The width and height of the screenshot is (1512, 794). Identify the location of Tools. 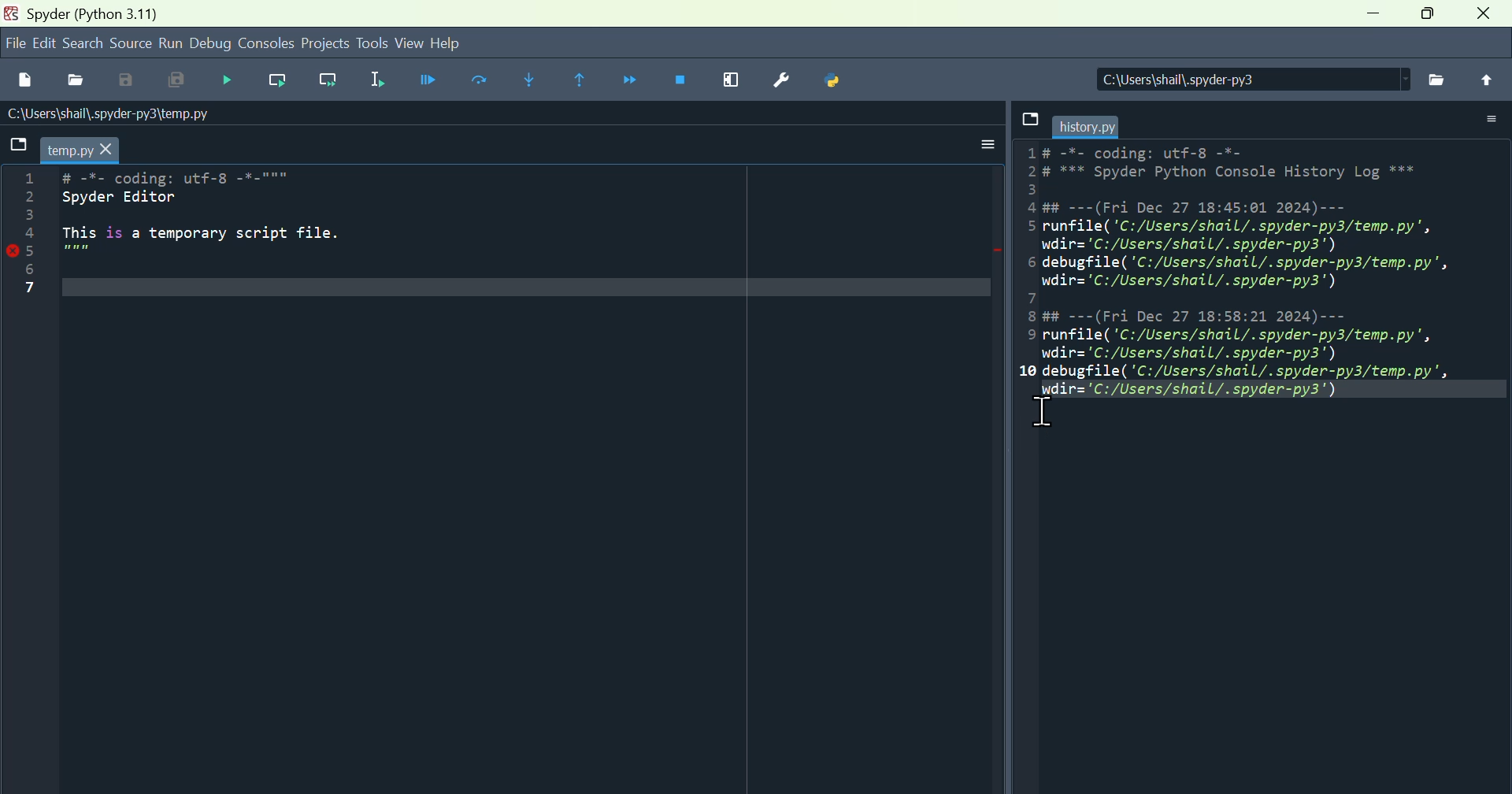
(376, 39).